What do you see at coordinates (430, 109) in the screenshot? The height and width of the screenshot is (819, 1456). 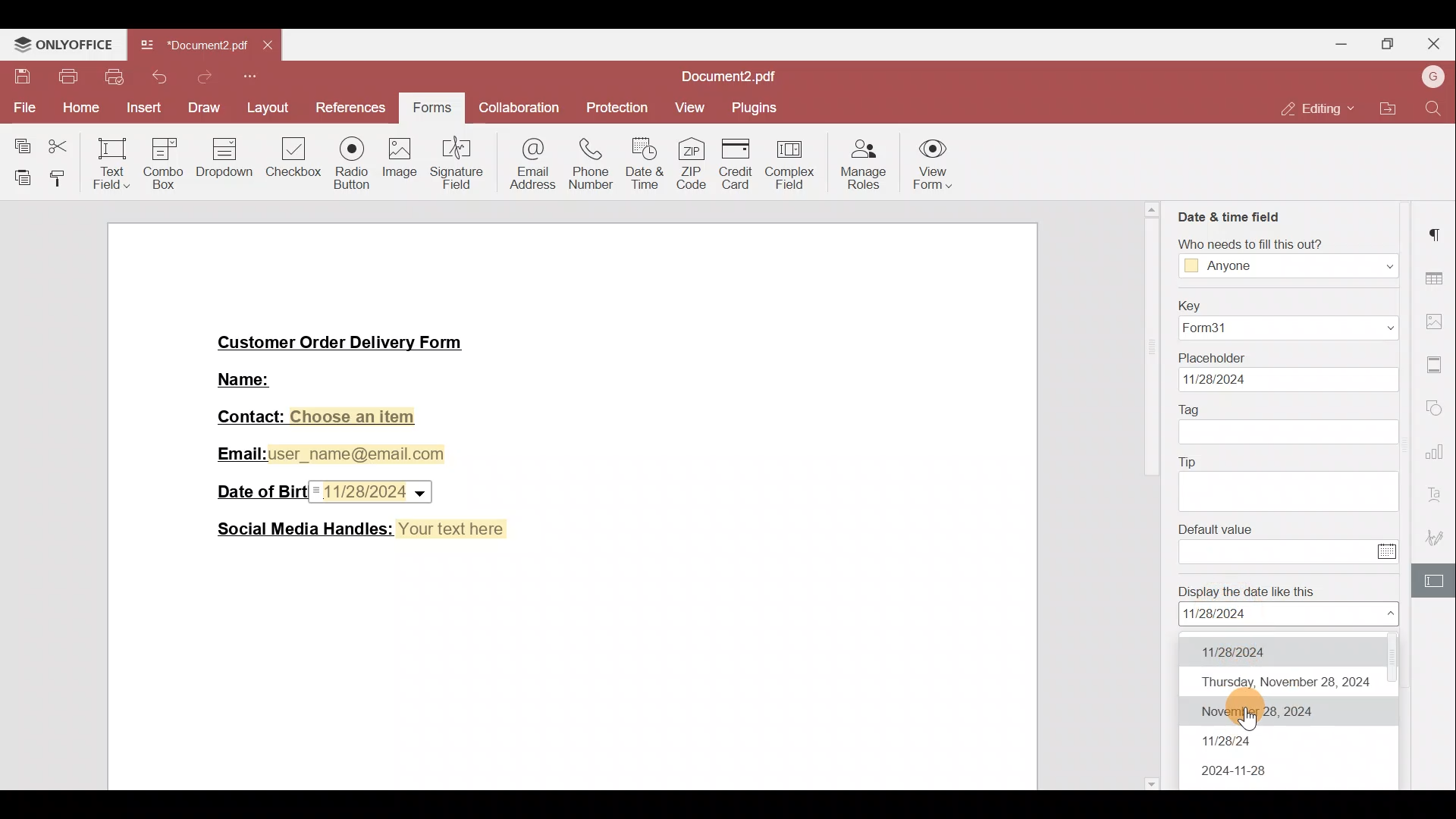 I see `Forms` at bounding box center [430, 109].